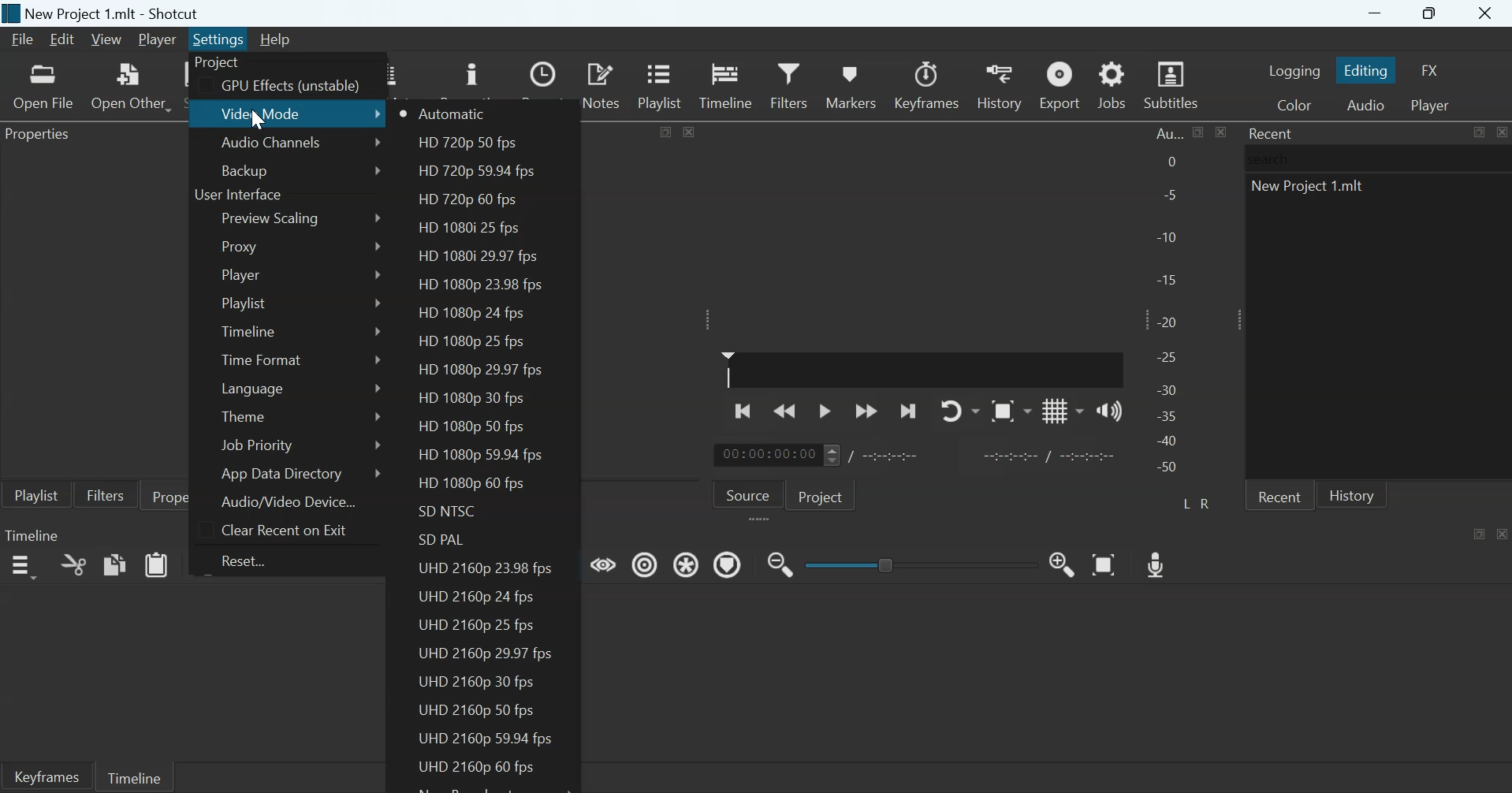 The width and height of the screenshot is (1512, 793). I want to click on Notes, so click(603, 84).